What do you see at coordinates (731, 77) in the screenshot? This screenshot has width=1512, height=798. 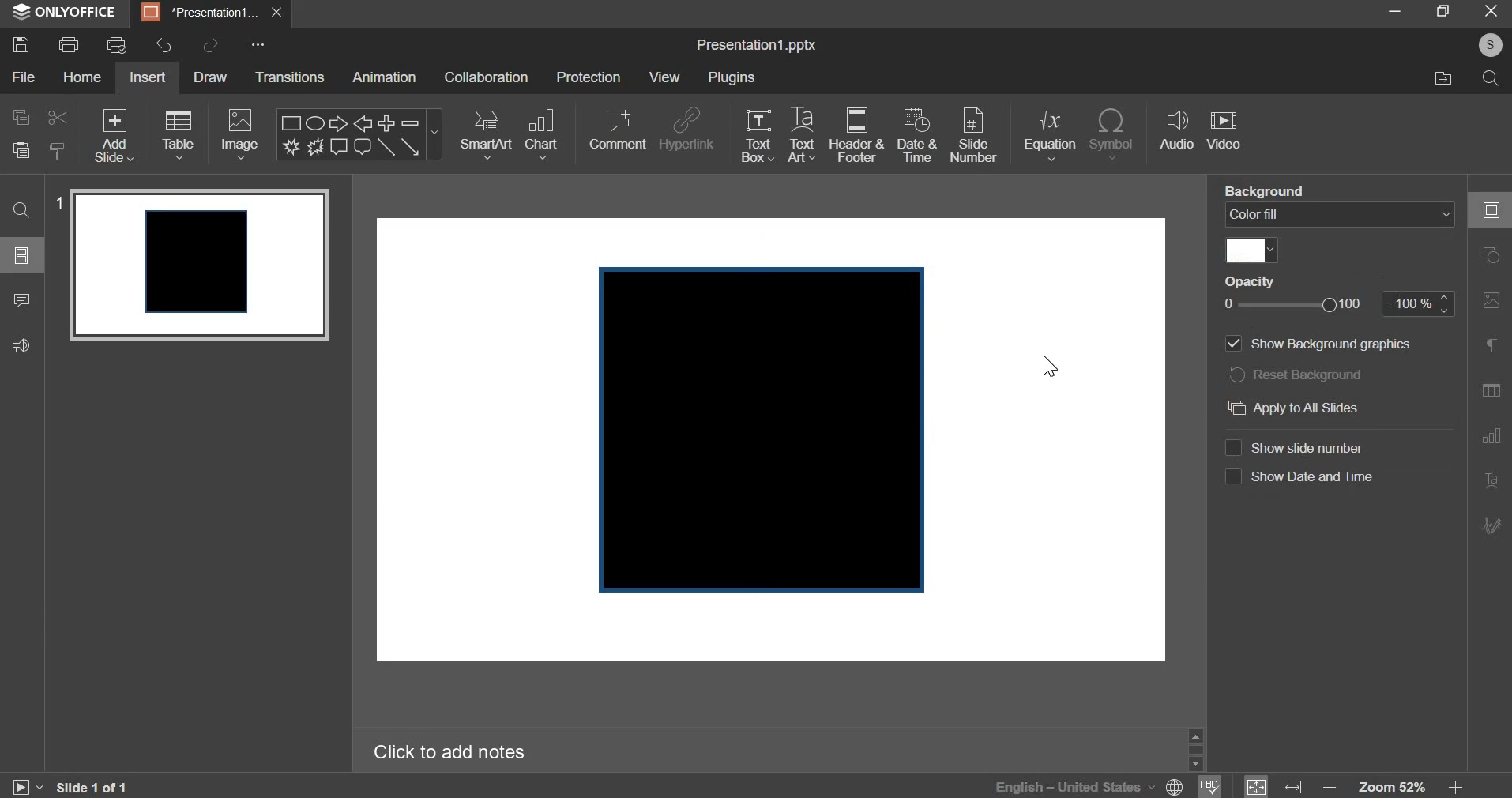 I see `plugins` at bounding box center [731, 77].